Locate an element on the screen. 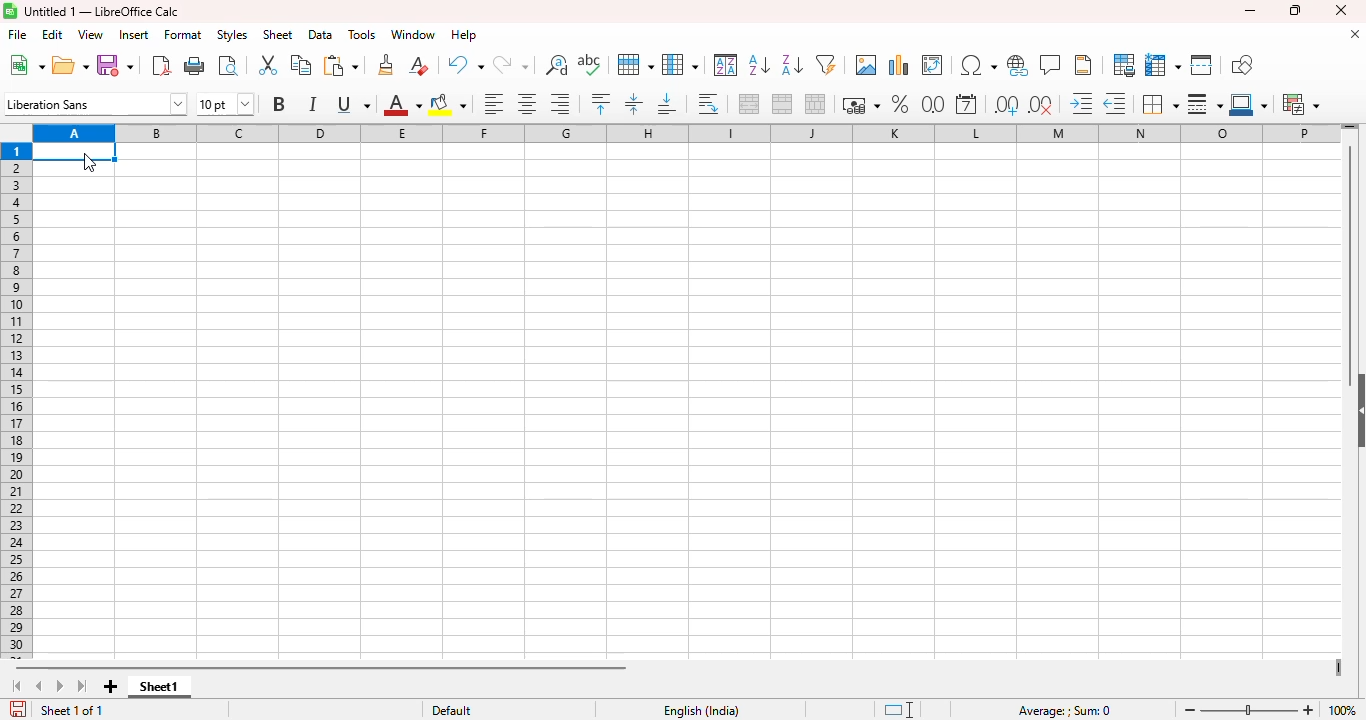 The height and width of the screenshot is (720, 1366). insert special characters is located at coordinates (979, 65).